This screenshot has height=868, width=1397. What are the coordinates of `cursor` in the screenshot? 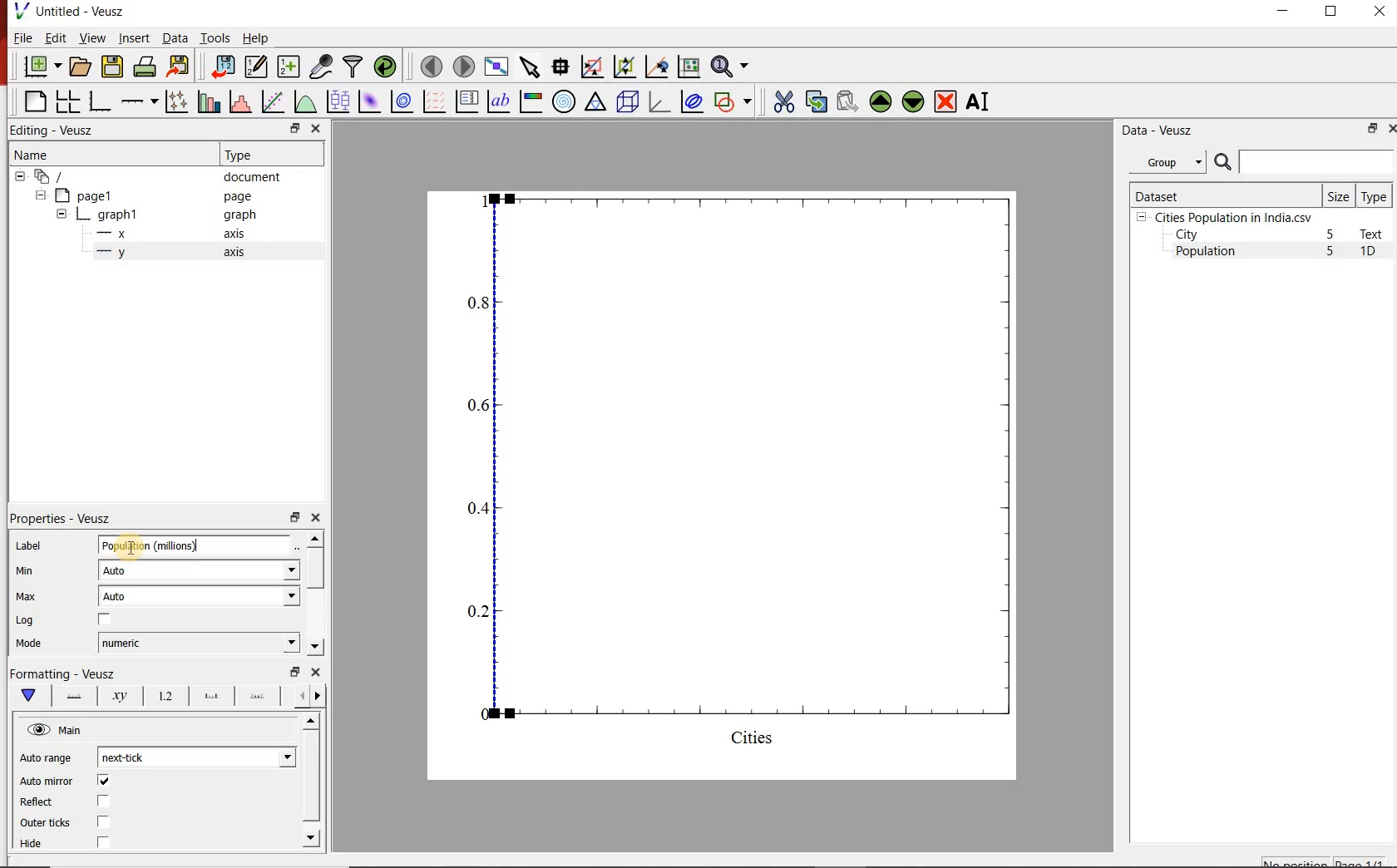 It's located at (123, 541).